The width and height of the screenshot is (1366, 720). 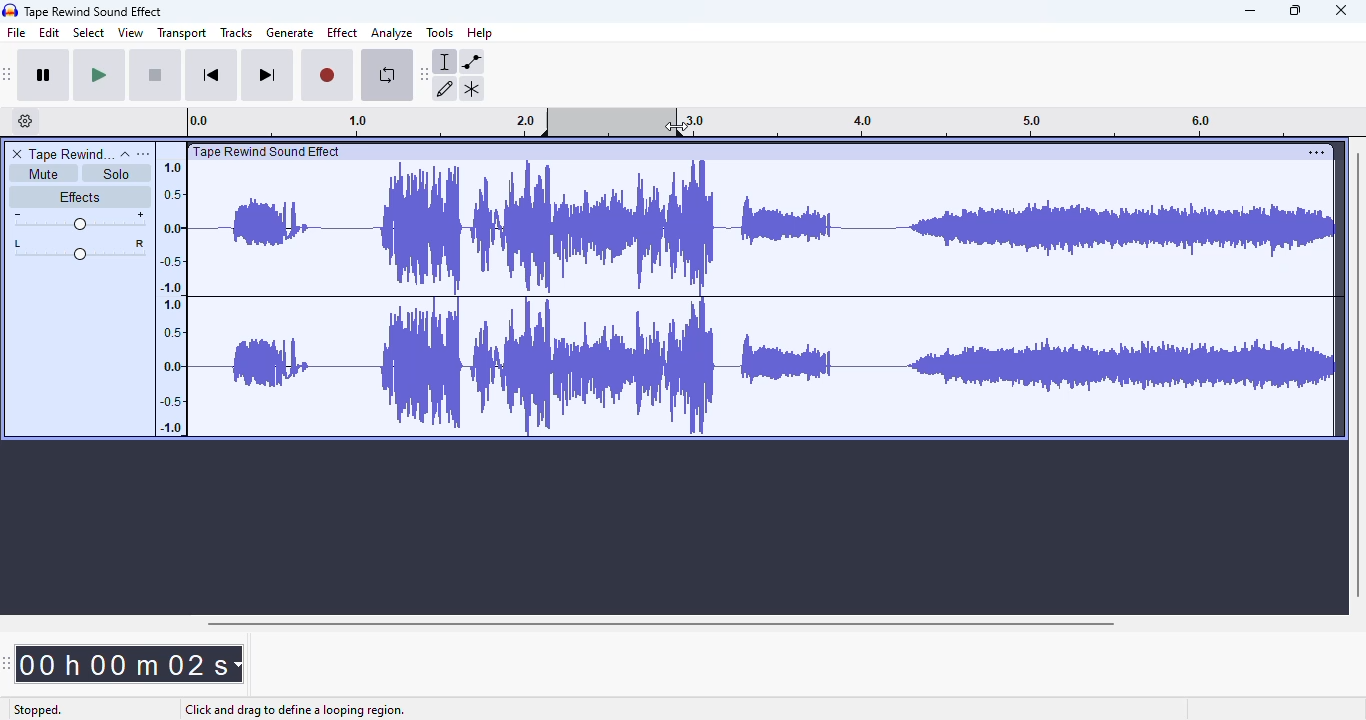 I want to click on open menu, so click(x=144, y=154).